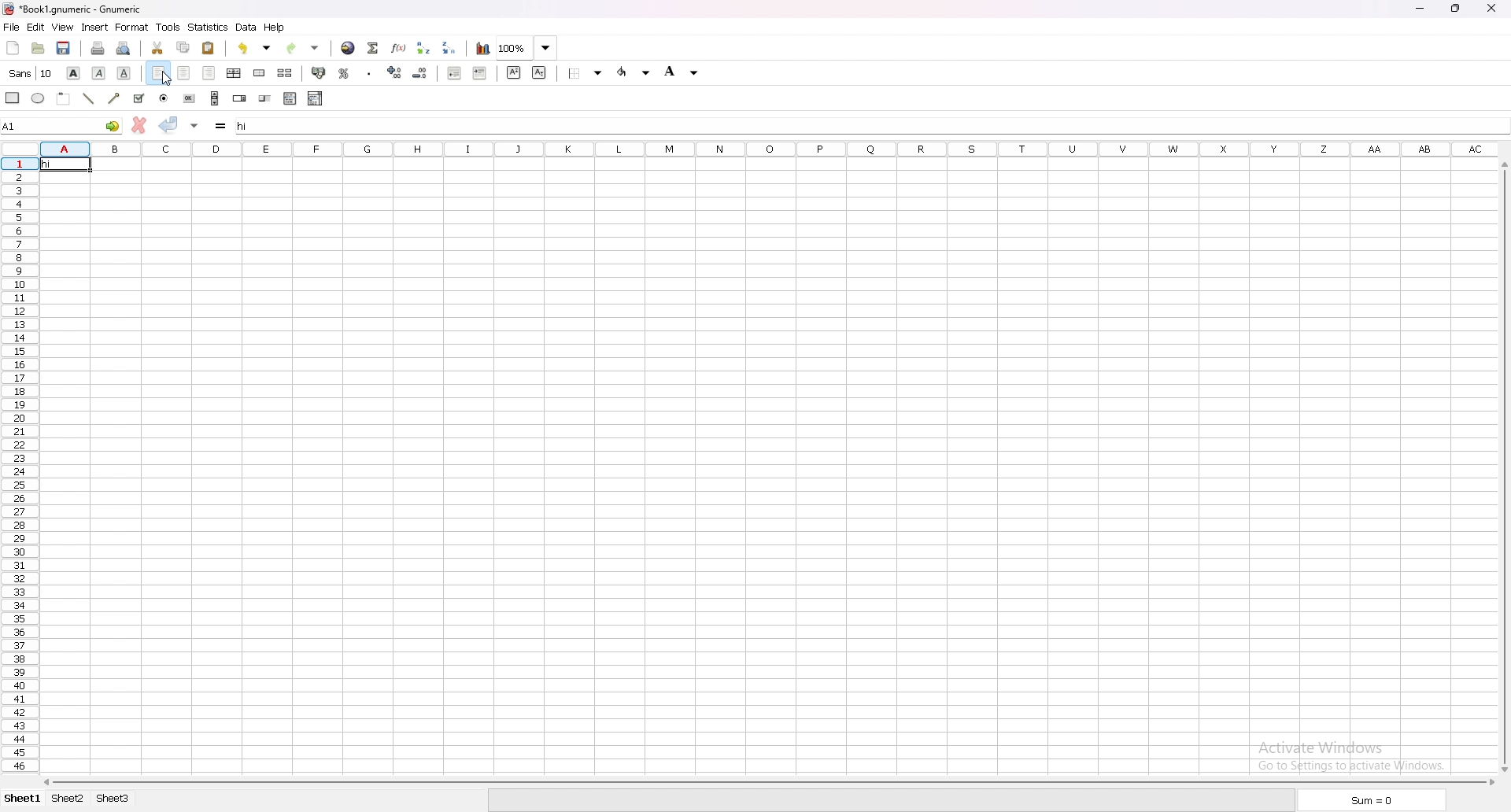  I want to click on close, so click(1491, 8).